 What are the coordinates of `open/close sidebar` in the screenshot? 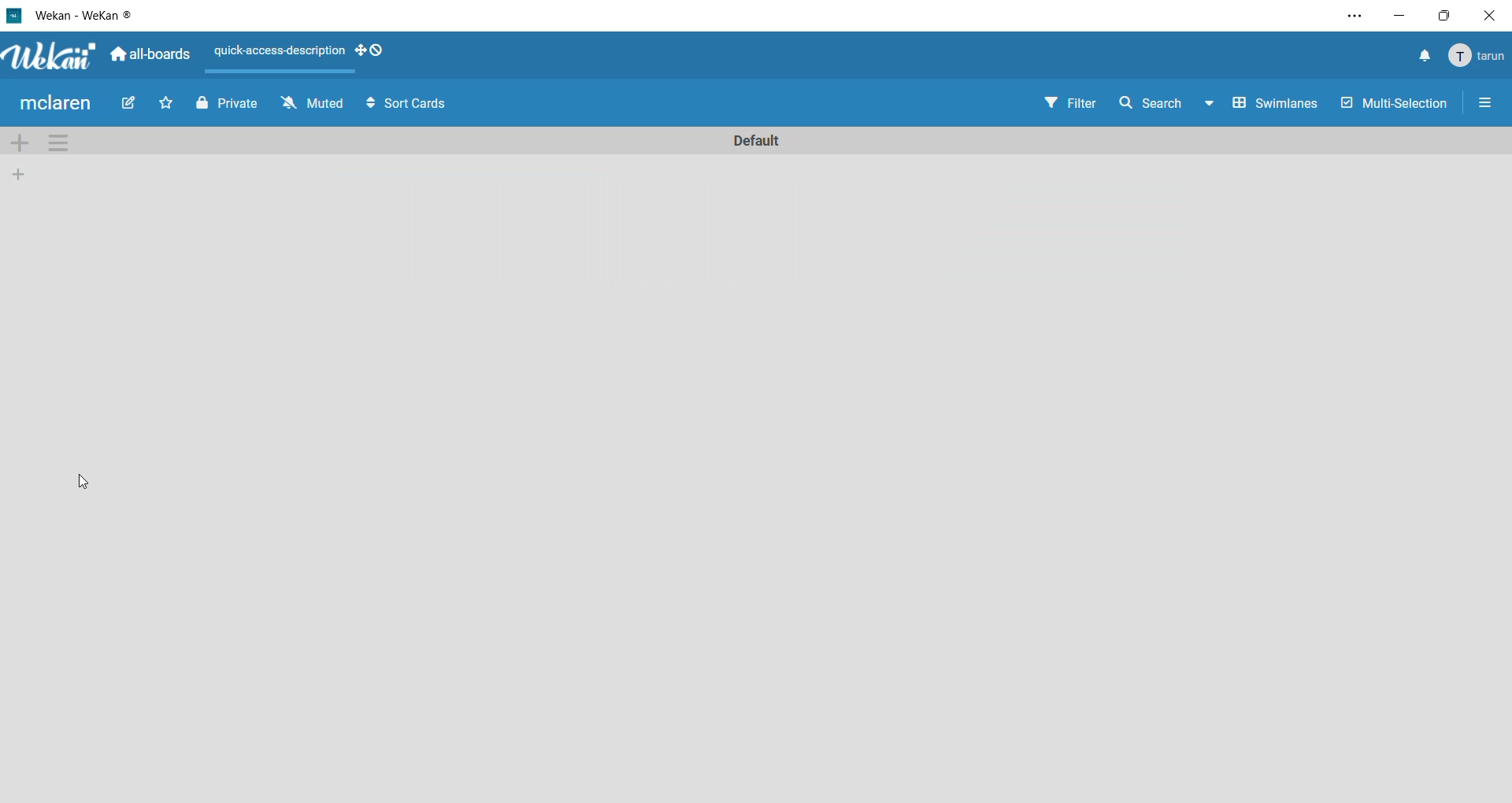 It's located at (1487, 104).